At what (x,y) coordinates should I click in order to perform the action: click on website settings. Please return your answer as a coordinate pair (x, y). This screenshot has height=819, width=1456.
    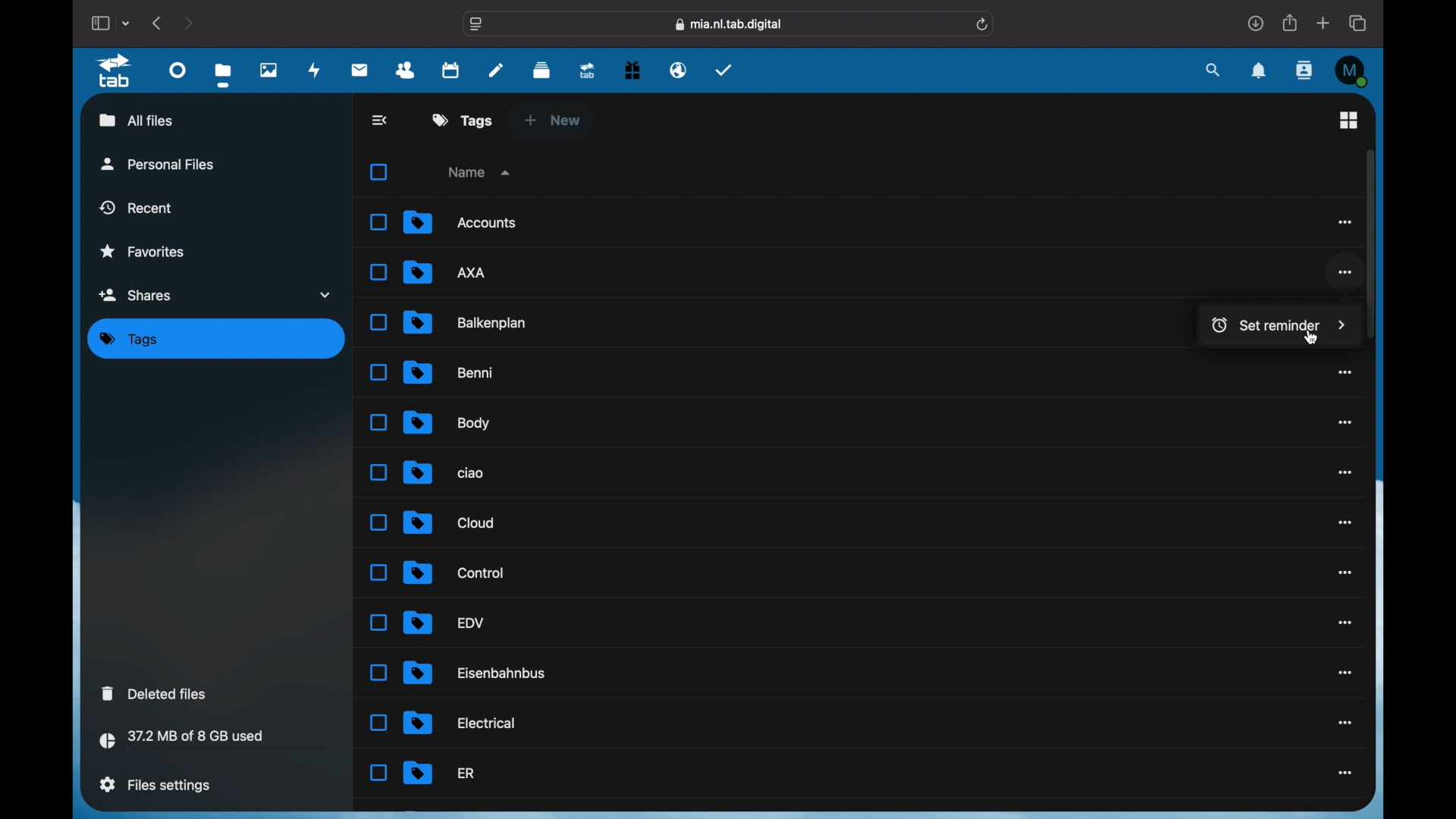
    Looking at the image, I should click on (476, 25).